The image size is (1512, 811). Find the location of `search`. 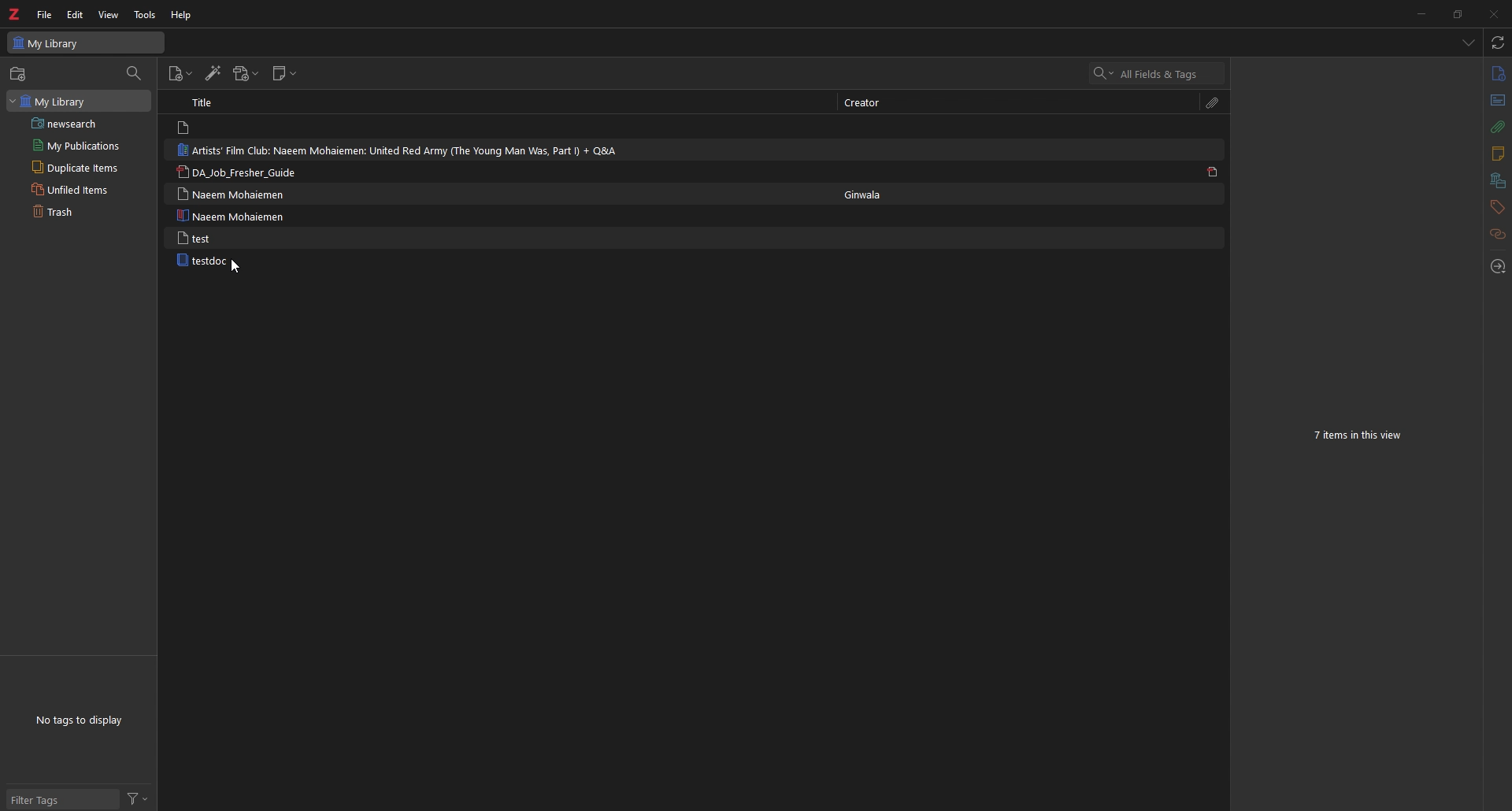

search is located at coordinates (1158, 73).